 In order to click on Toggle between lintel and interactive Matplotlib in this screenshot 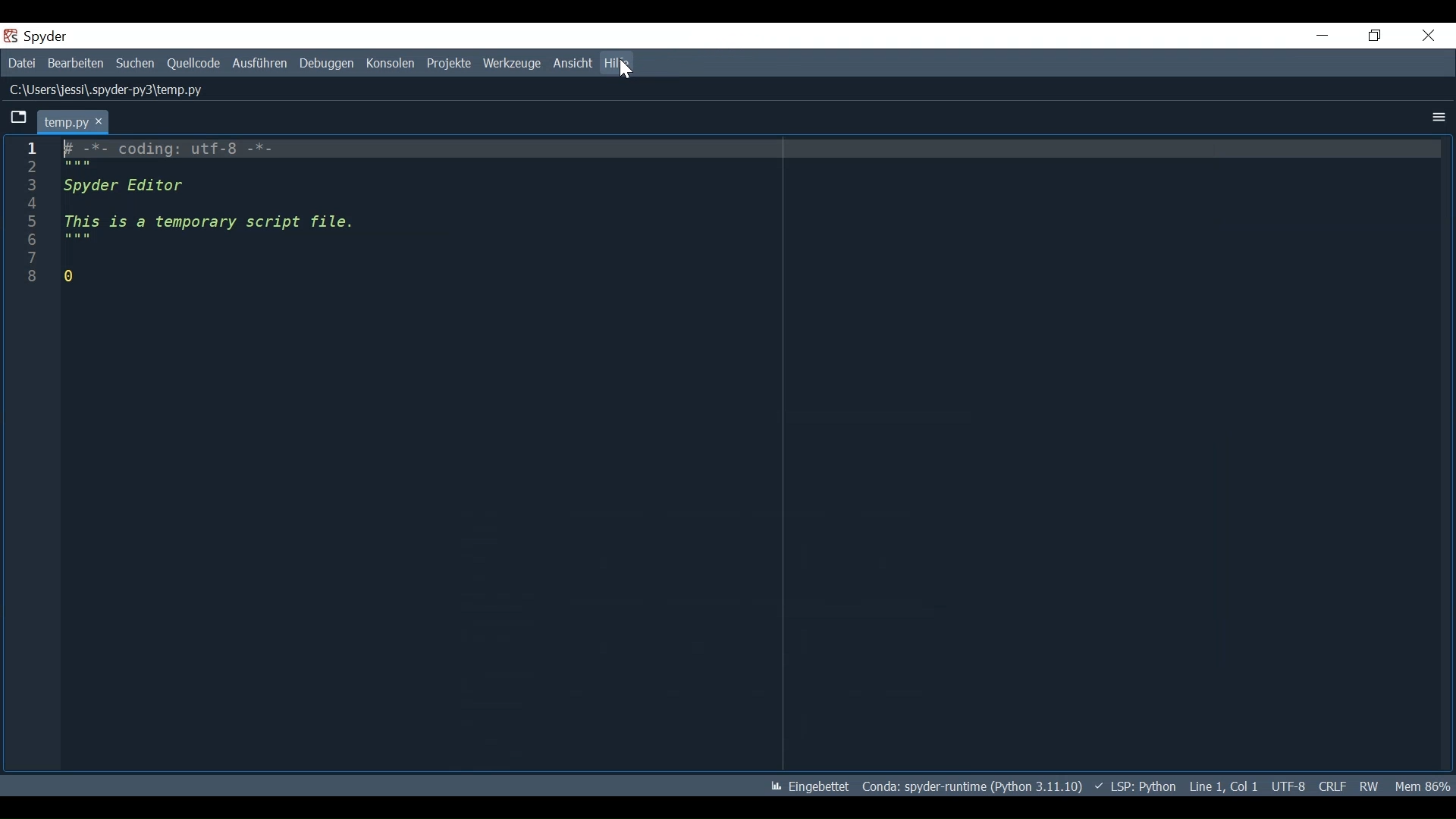, I will do `click(808, 786)`.